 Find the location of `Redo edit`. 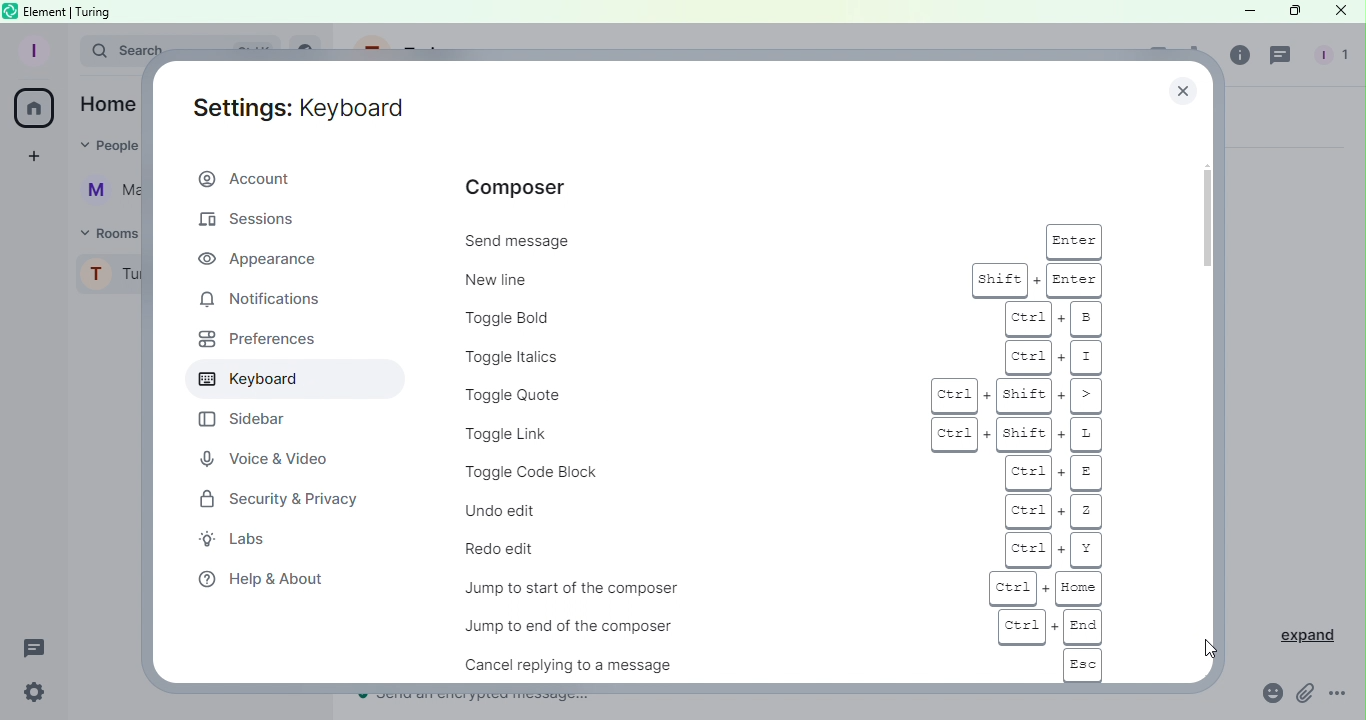

Redo edit is located at coordinates (664, 550).